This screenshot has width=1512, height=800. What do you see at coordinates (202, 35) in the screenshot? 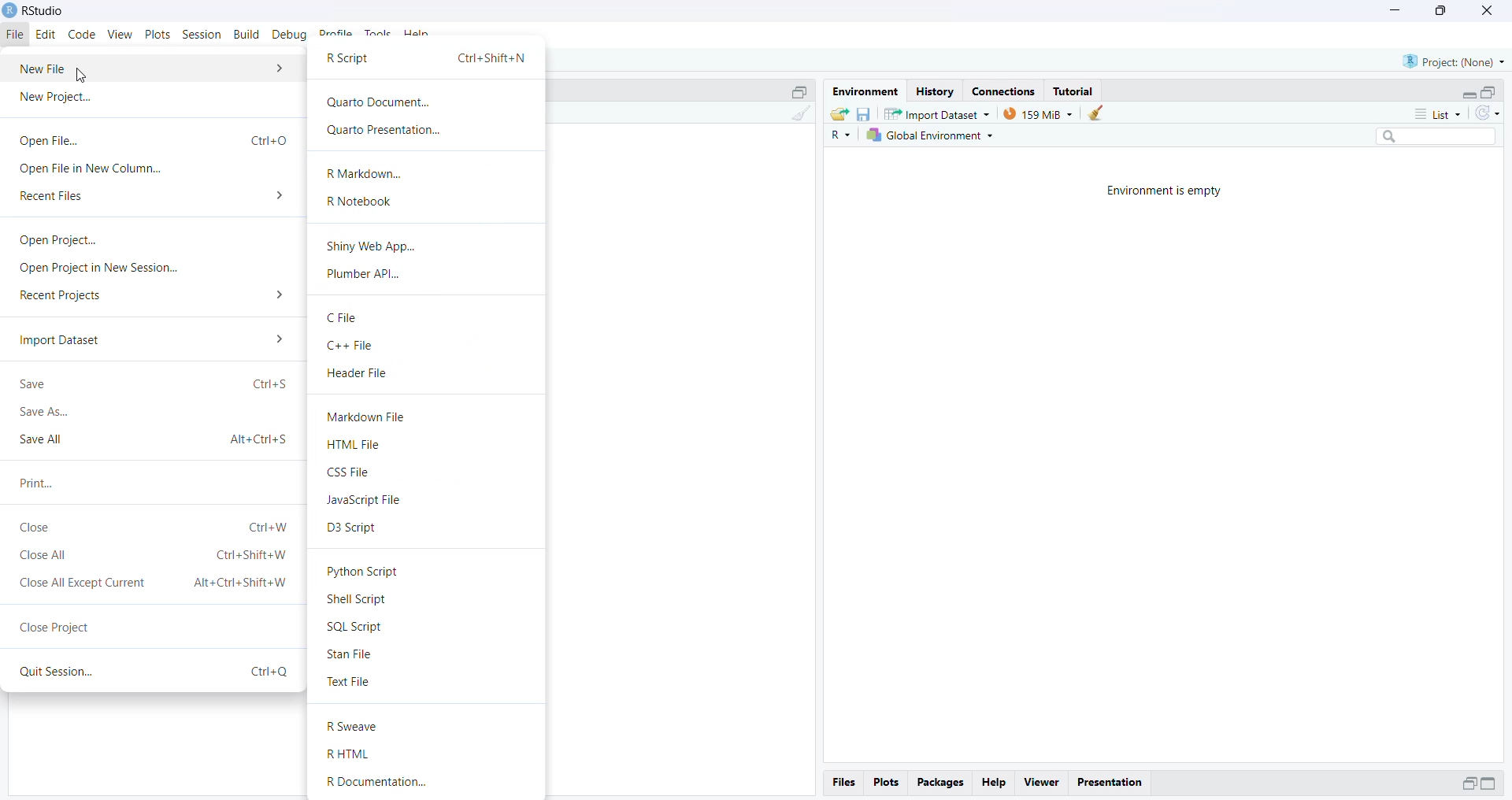
I see `session` at bounding box center [202, 35].